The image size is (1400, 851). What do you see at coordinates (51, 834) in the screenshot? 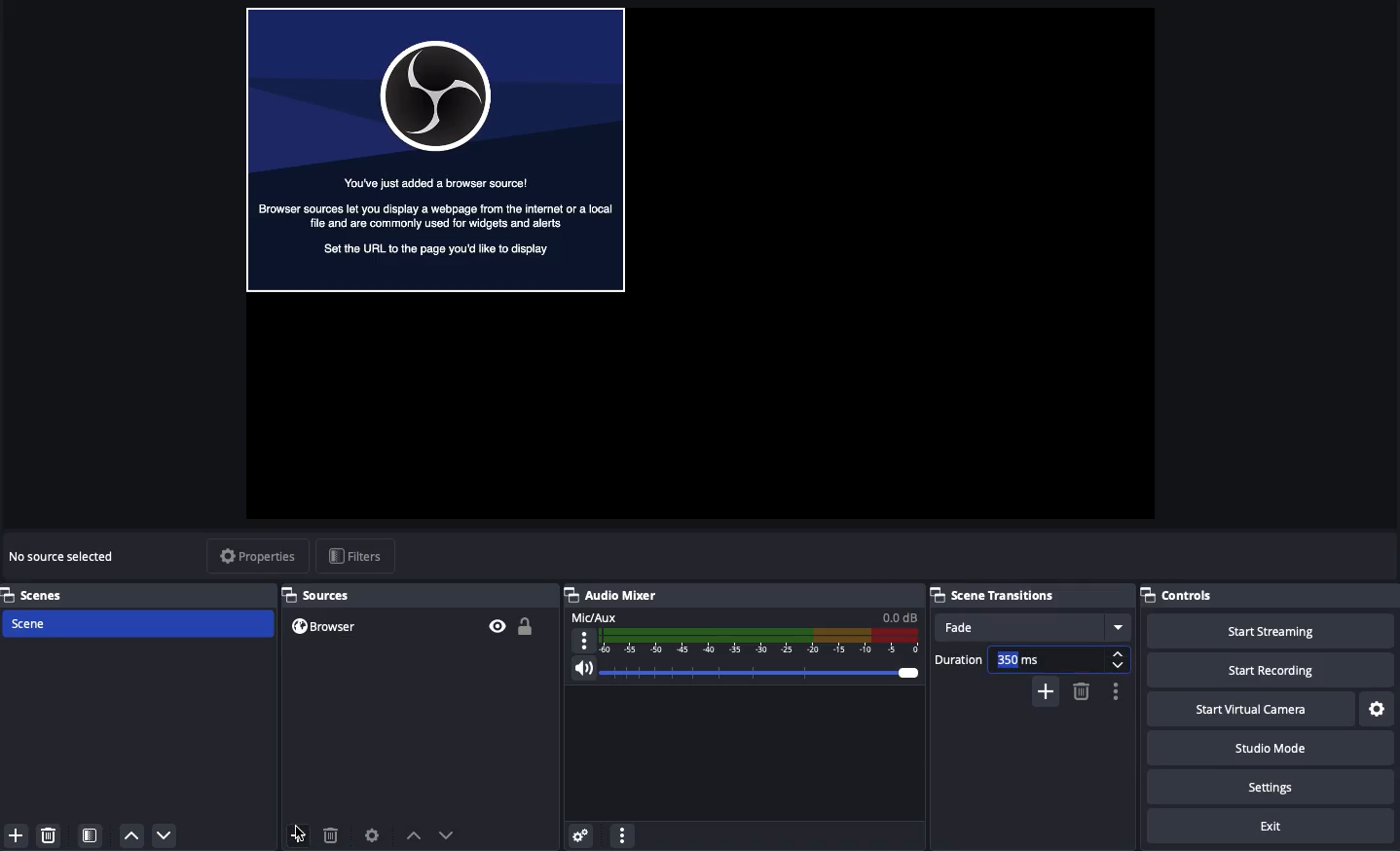
I see `Delete` at bounding box center [51, 834].